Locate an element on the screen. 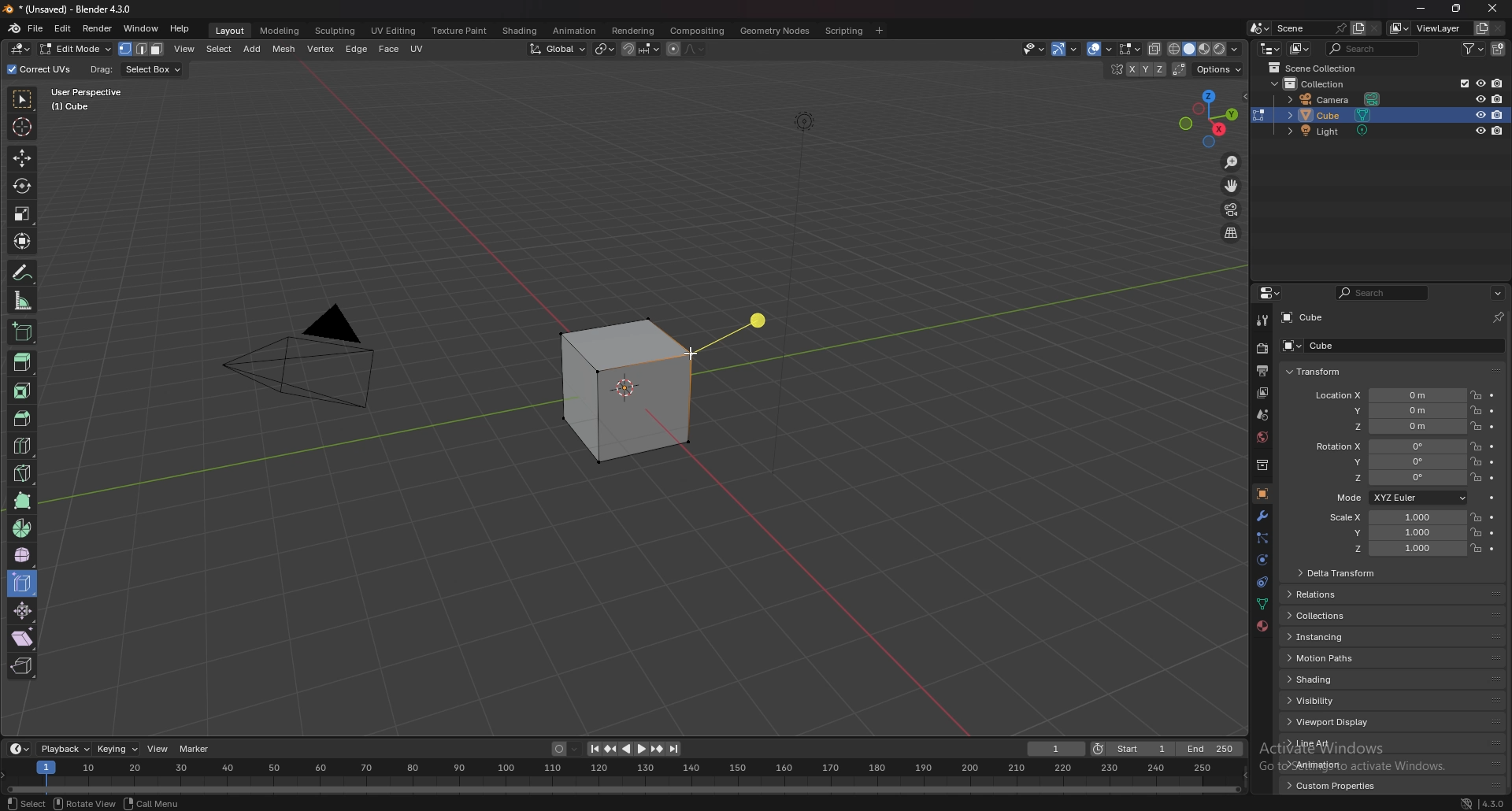 This screenshot has width=1512, height=811. PYRAMID is located at coordinates (313, 359).